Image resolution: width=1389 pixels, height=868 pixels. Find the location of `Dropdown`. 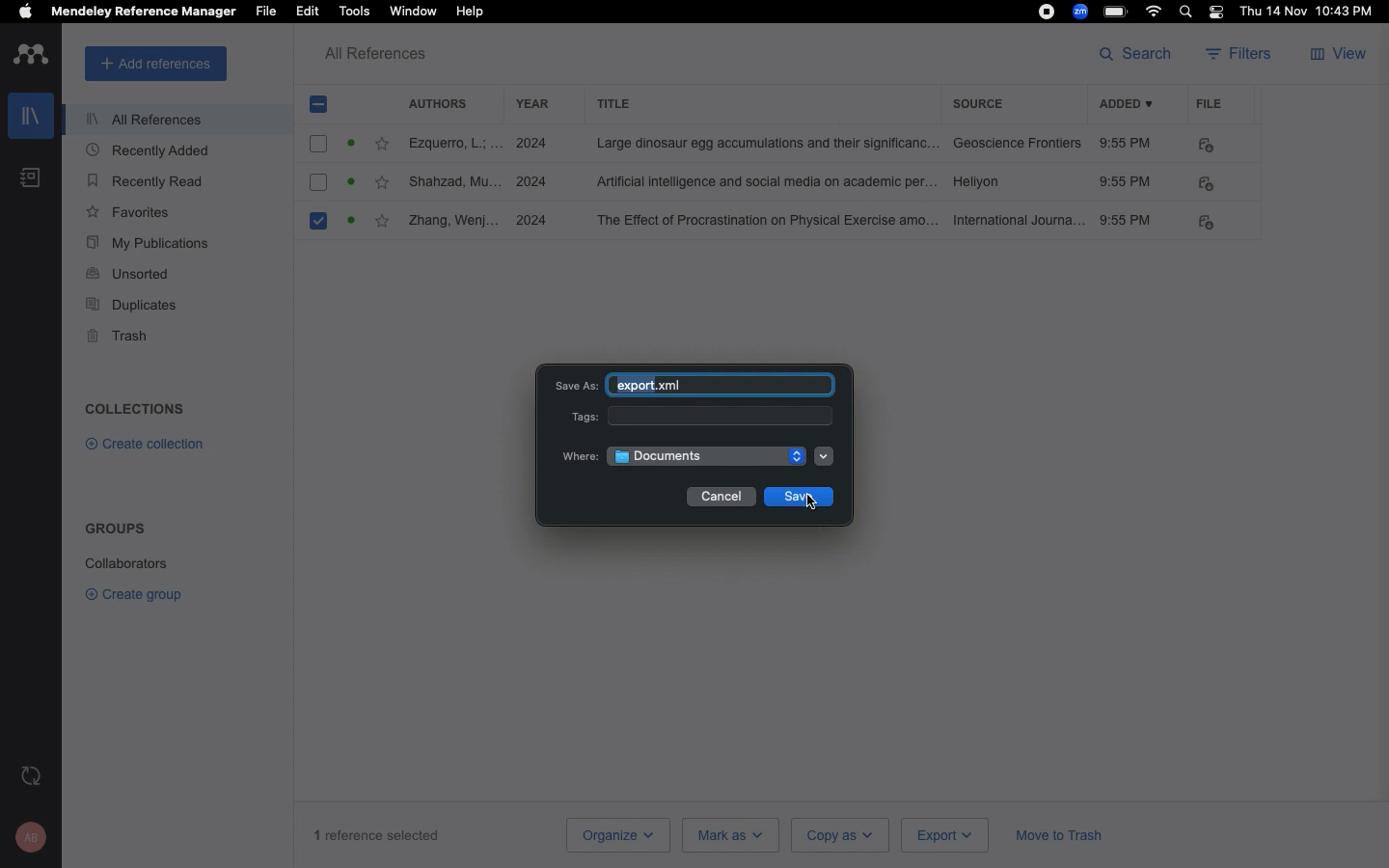

Dropdown is located at coordinates (824, 455).